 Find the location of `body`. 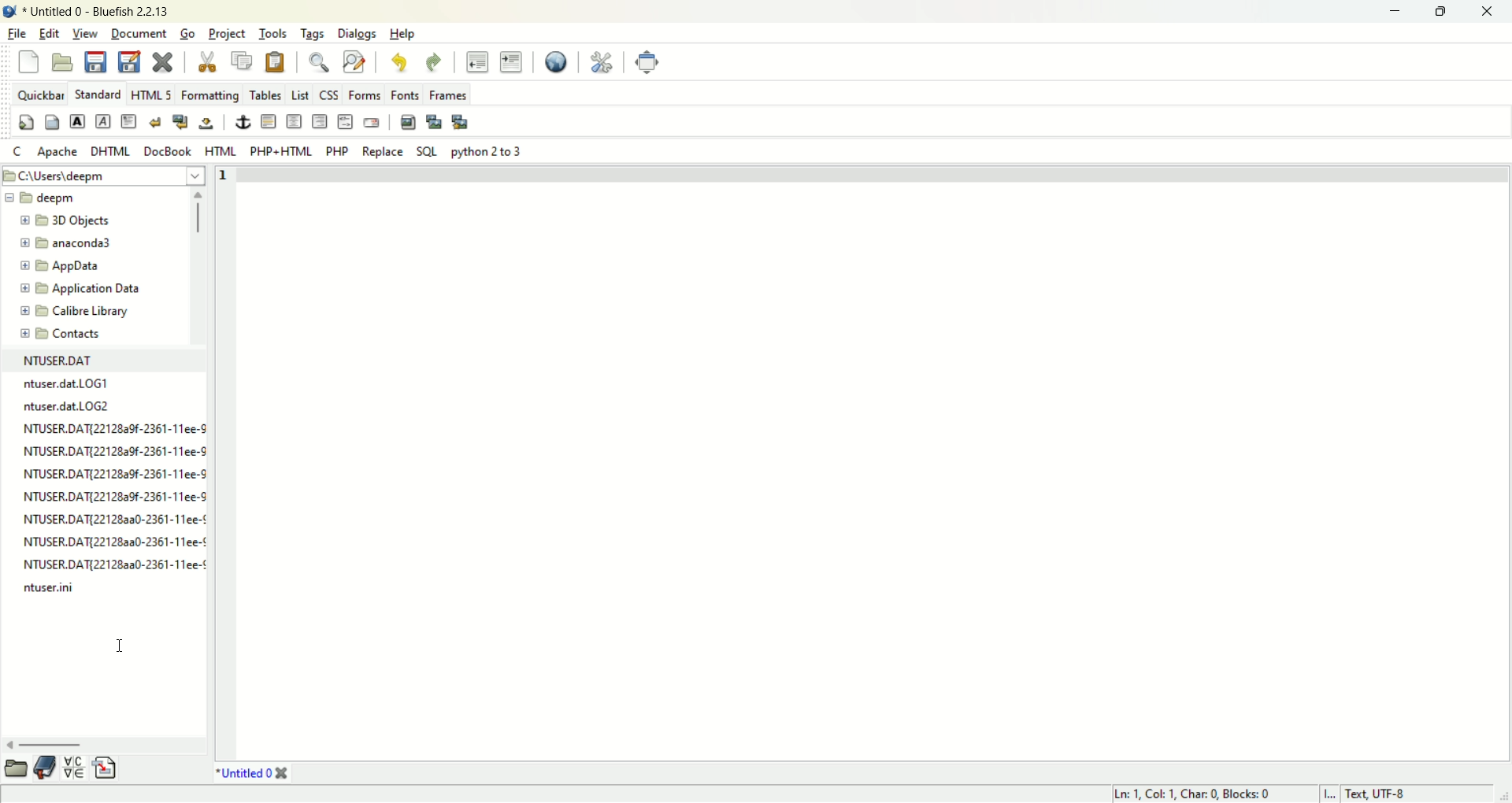

body is located at coordinates (53, 121).